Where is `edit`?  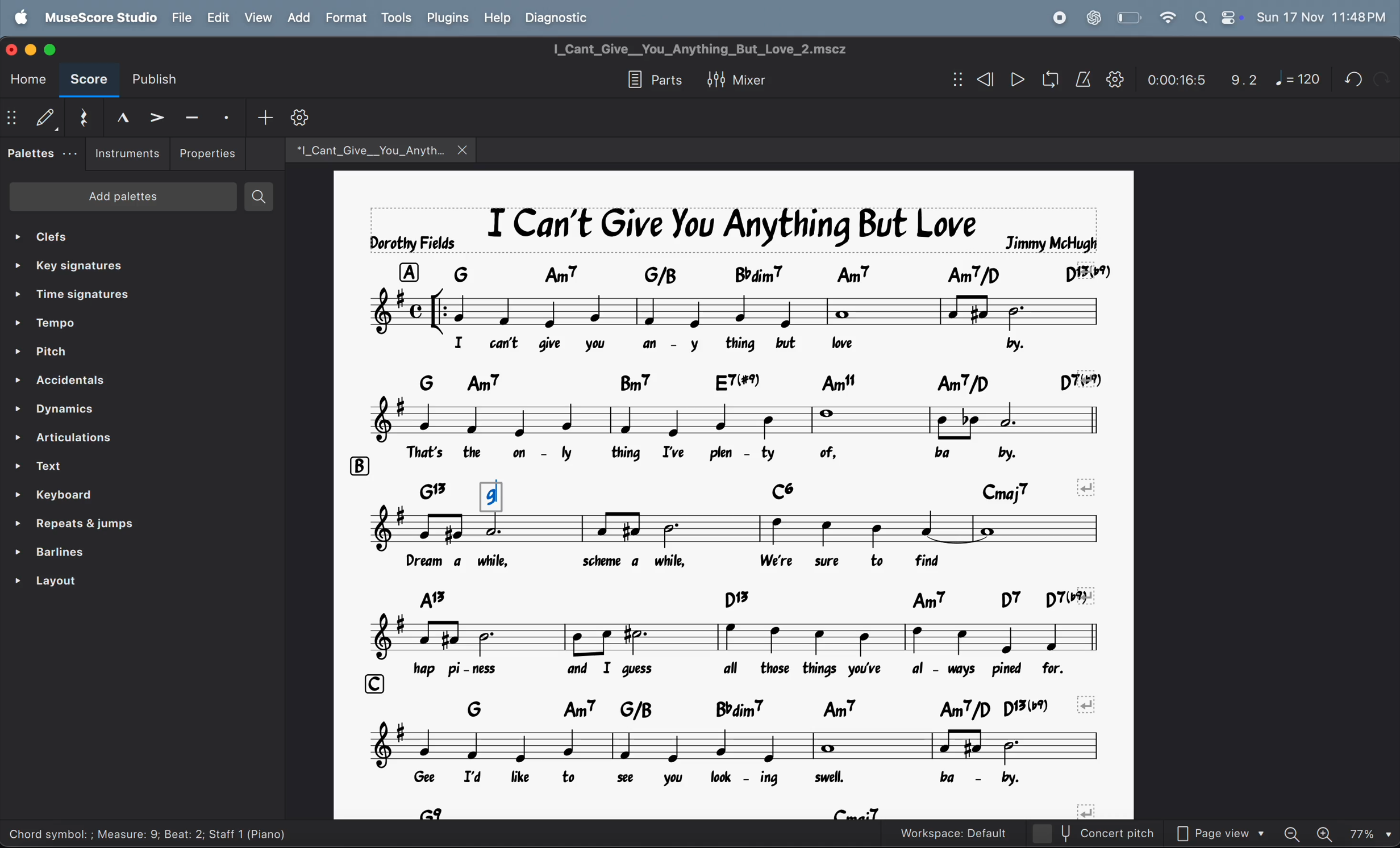 edit is located at coordinates (220, 18).